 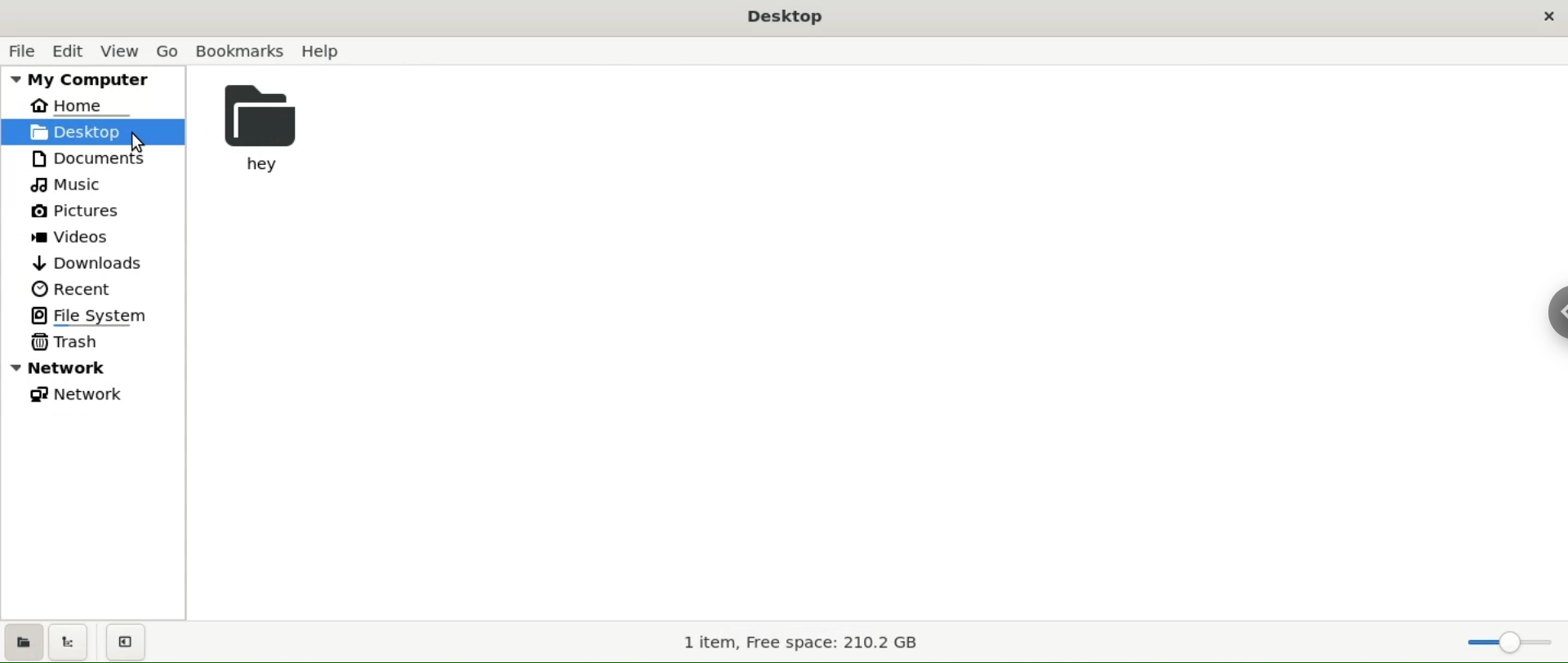 What do you see at coordinates (1552, 318) in the screenshot?
I see `chrome options` at bounding box center [1552, 318].